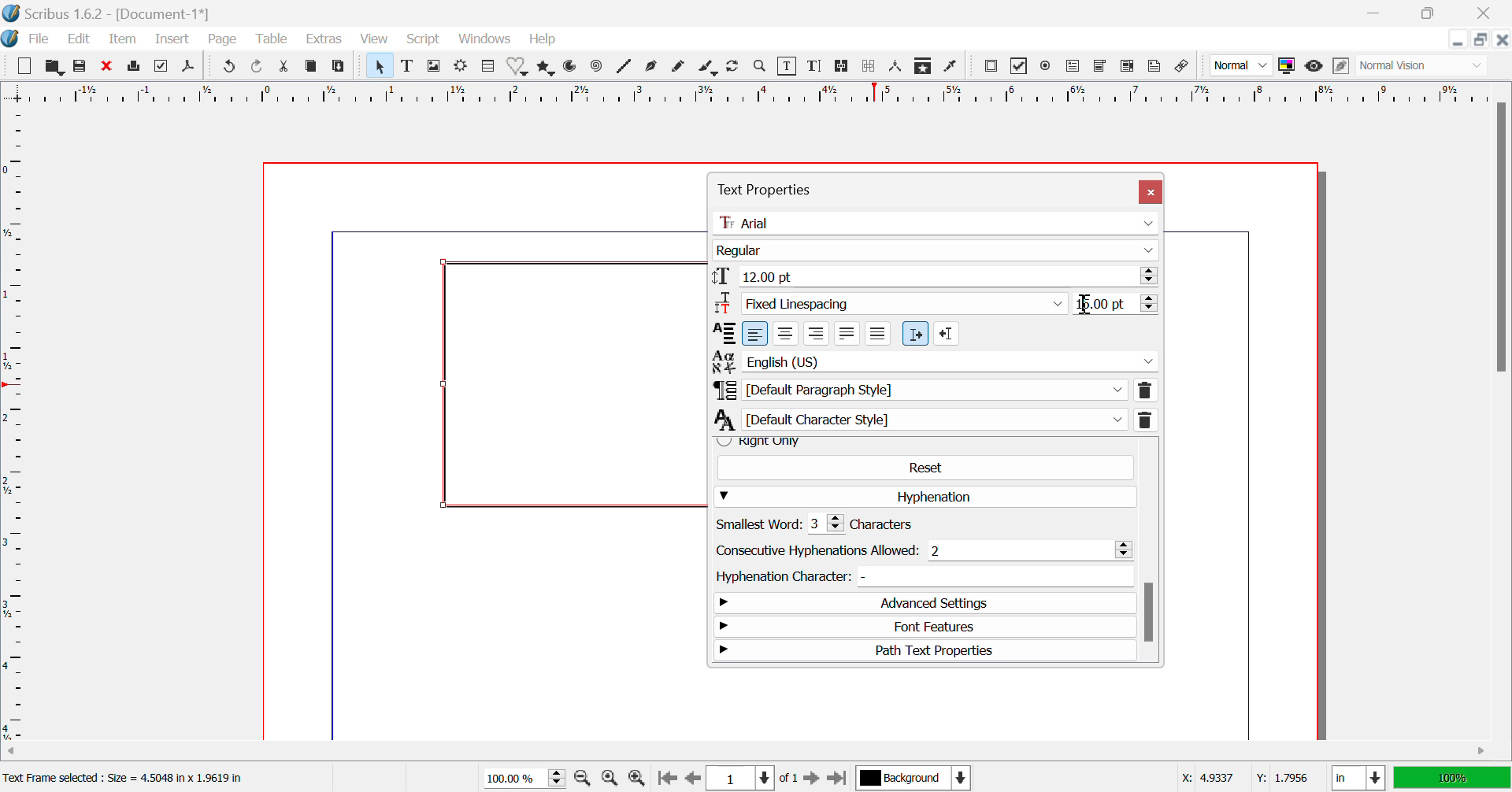  I want to click on Restore Down, so click(1378, 12).